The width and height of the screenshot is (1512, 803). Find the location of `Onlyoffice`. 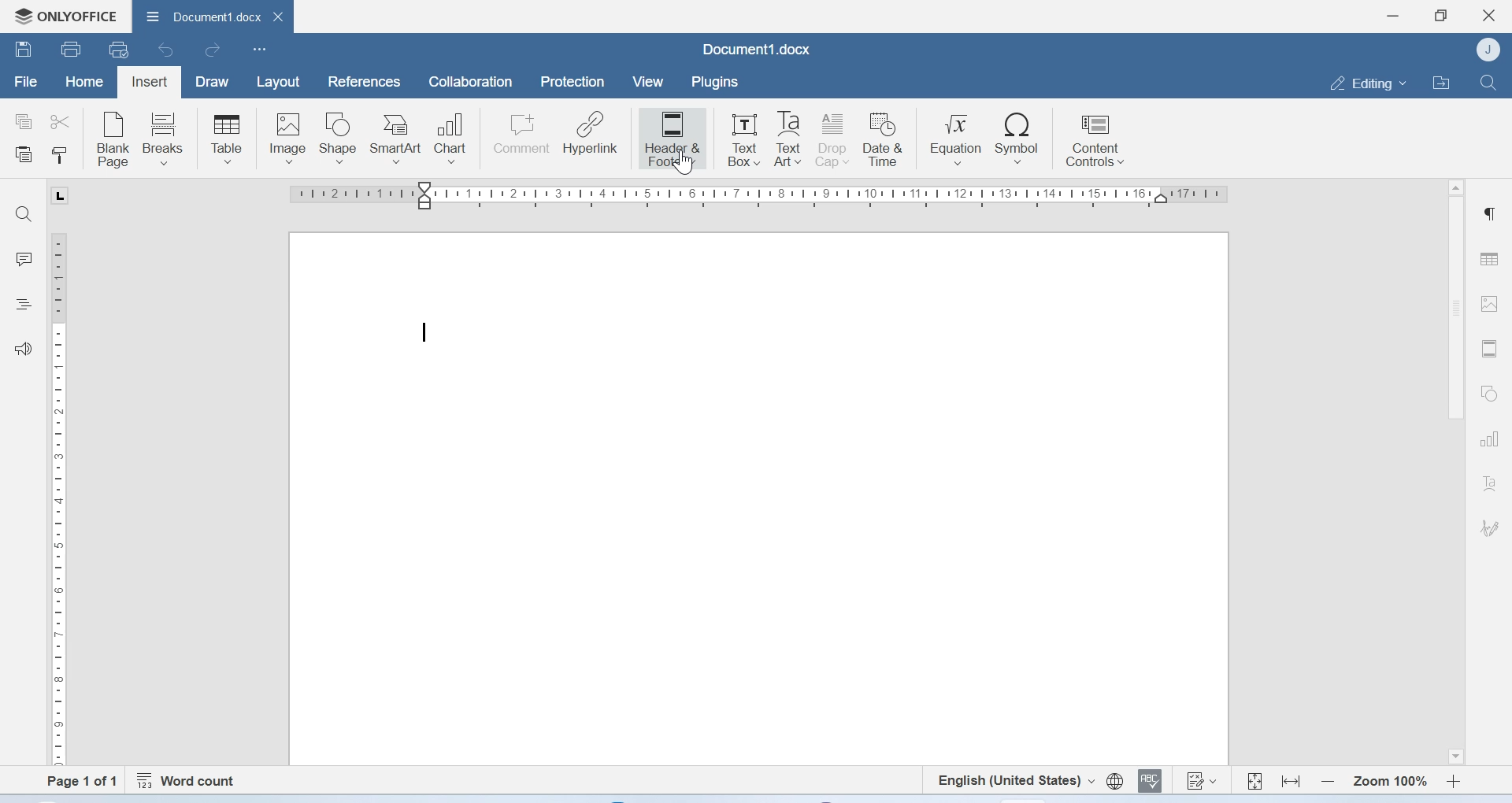

Onlyoffice is located at coordinates (65, 14).